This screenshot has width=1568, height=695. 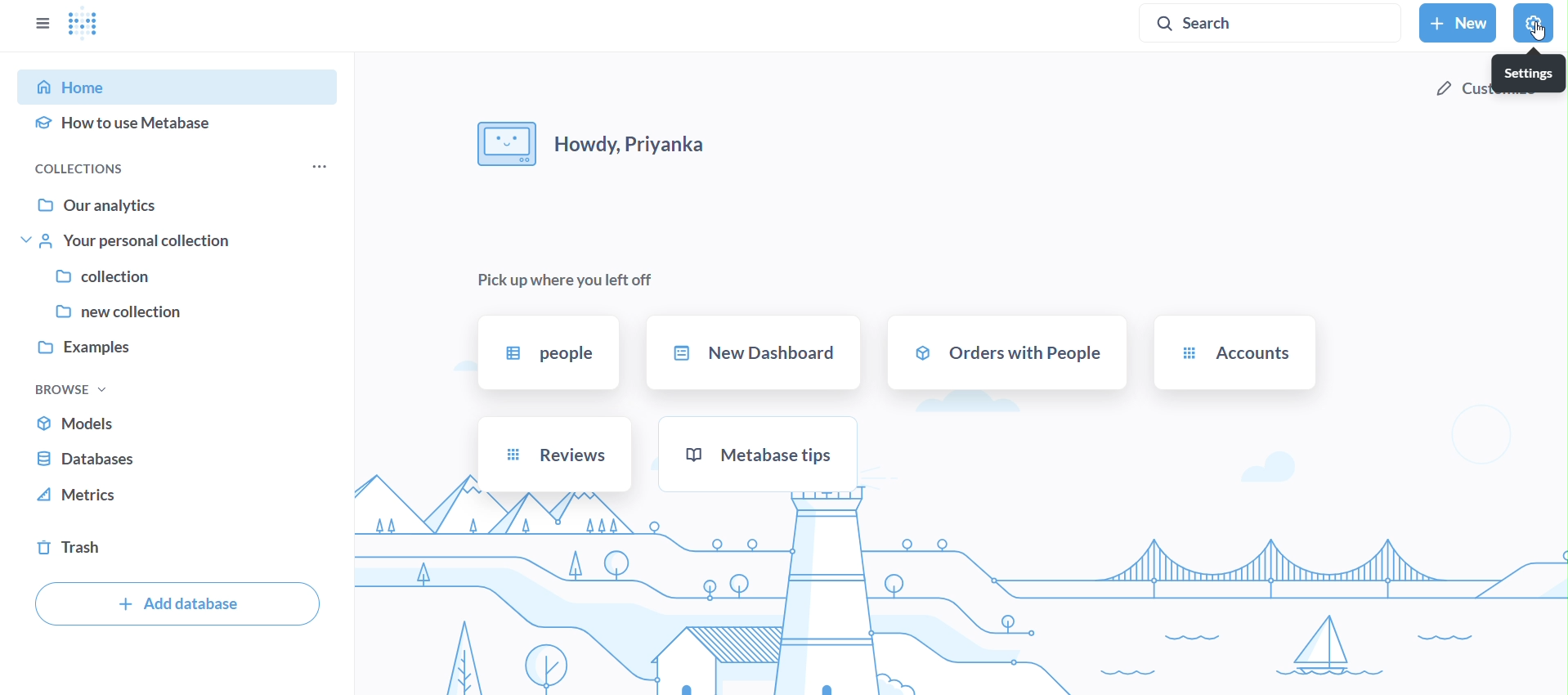 I want to click on howdy, priyanka, so click(x=594, y=146).